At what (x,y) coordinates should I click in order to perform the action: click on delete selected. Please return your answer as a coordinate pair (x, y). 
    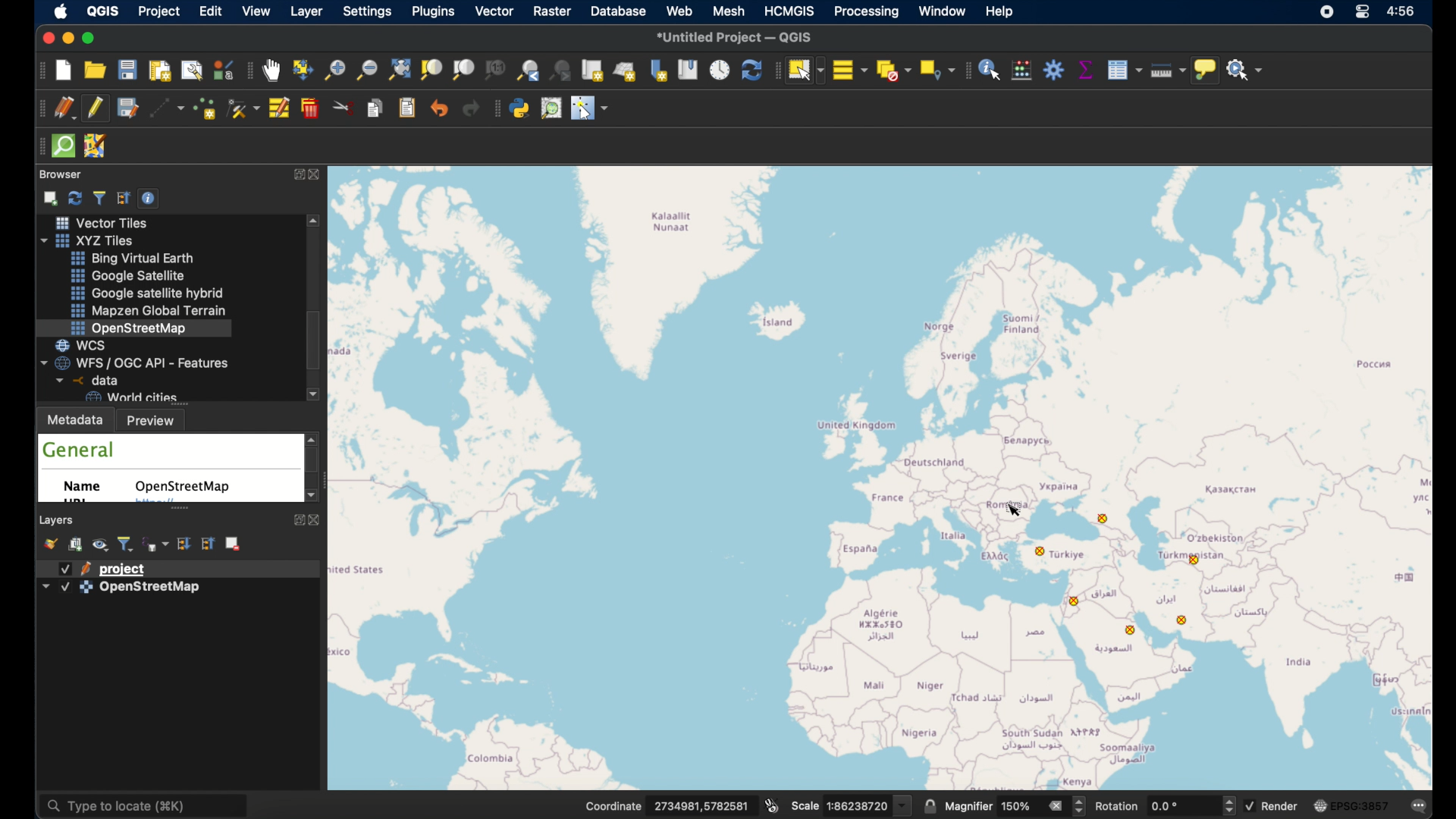
    Looking at the image, I should click on (312, 108).